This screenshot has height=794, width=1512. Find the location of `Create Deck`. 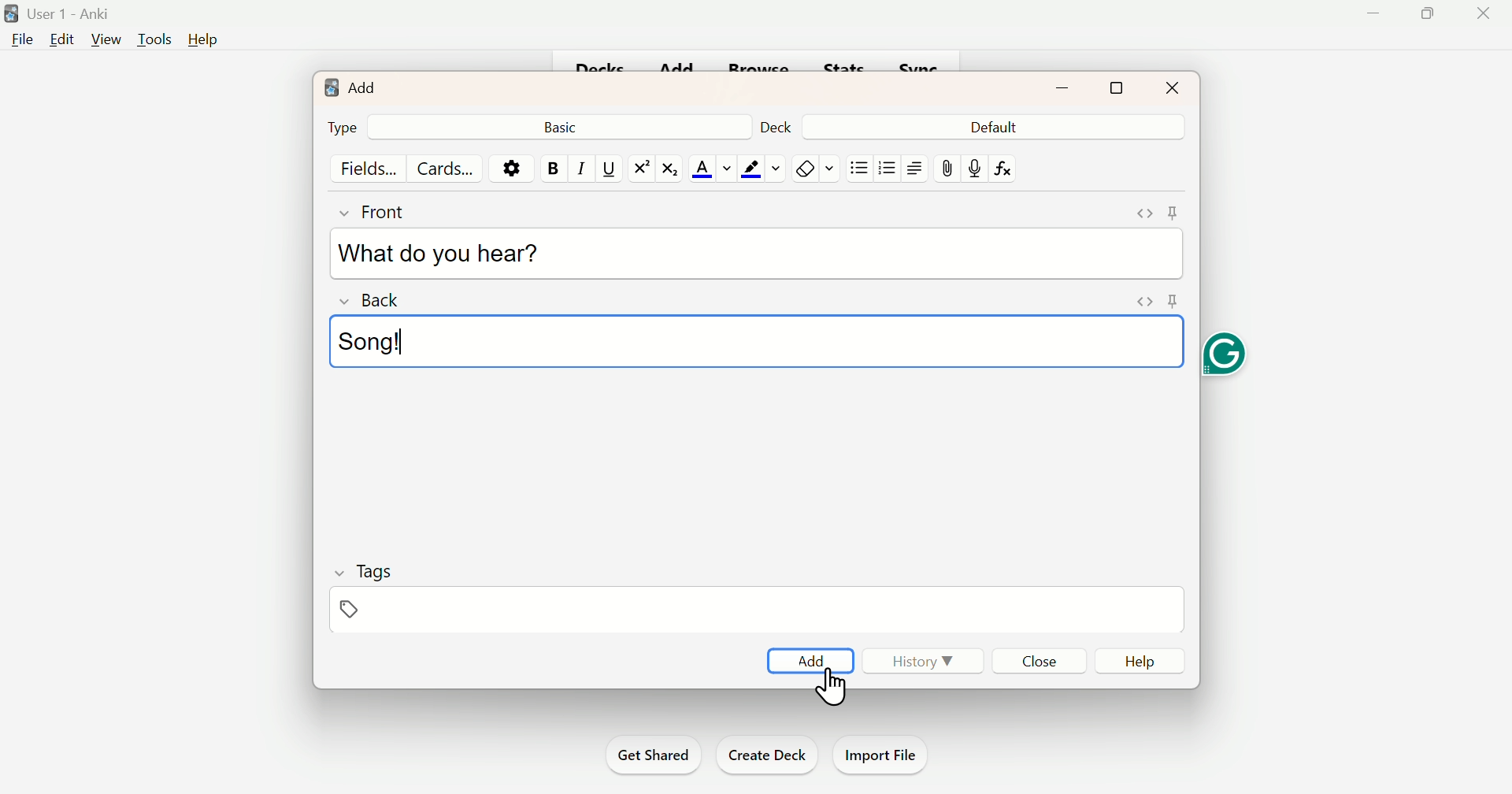

Create Deck is located at coordinates (766, 755).